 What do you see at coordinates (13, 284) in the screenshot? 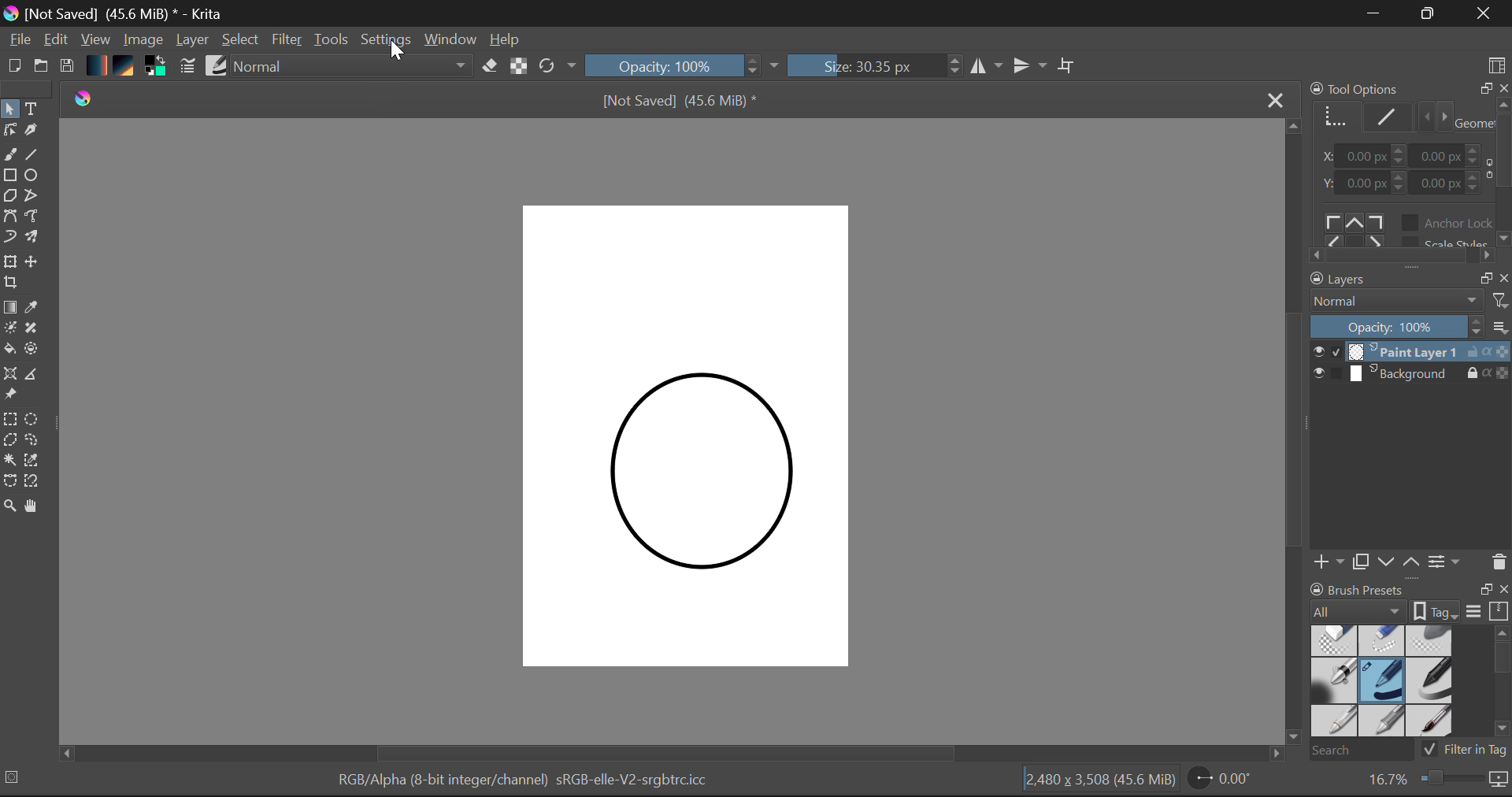
I see `Crop` at bounding box center [13, 284].